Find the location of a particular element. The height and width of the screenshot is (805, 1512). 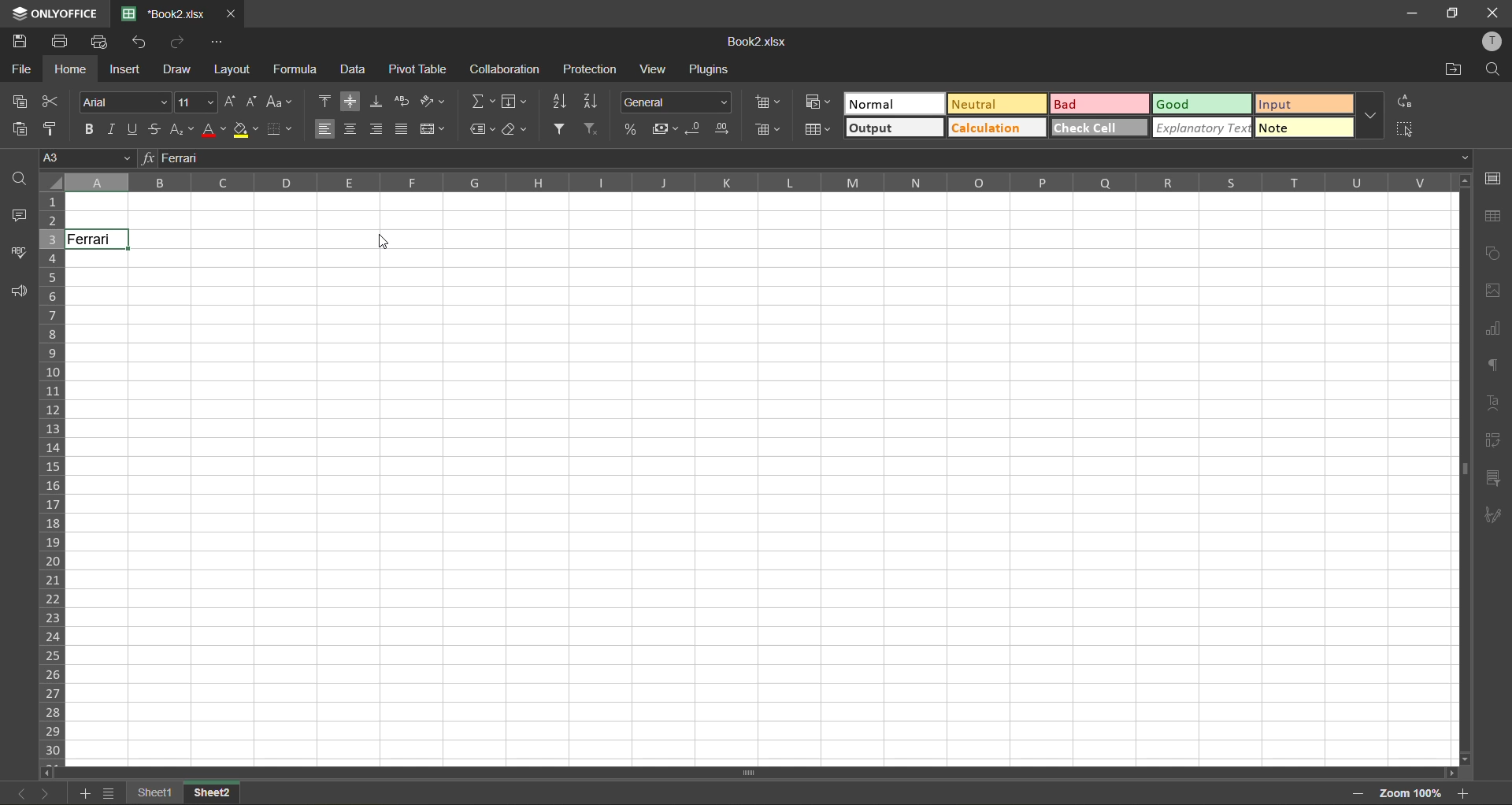

sub/superscript is located at coordinates (184, 131).